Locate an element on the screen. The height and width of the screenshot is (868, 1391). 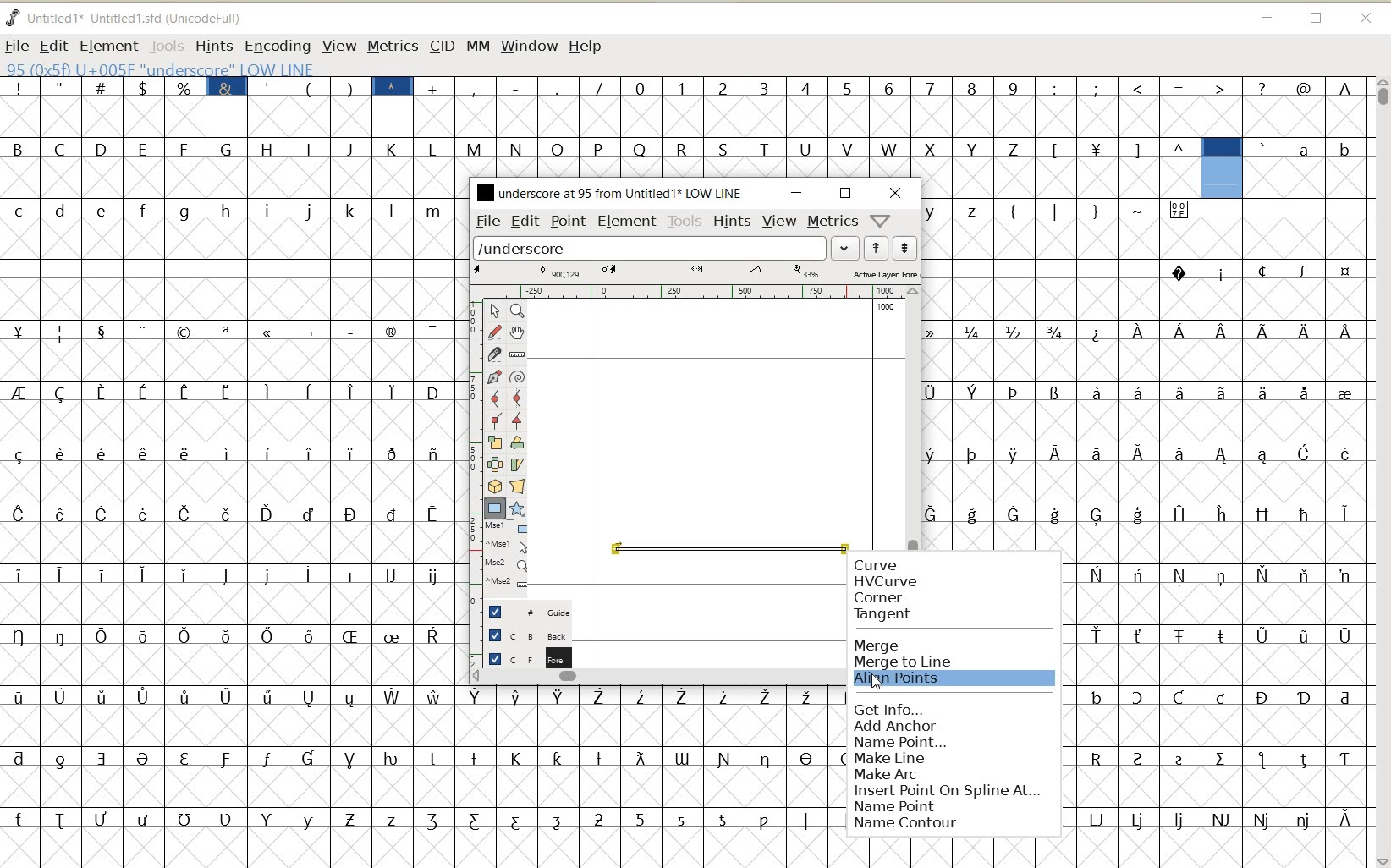
show next word list is located at coordinates (905, 248).